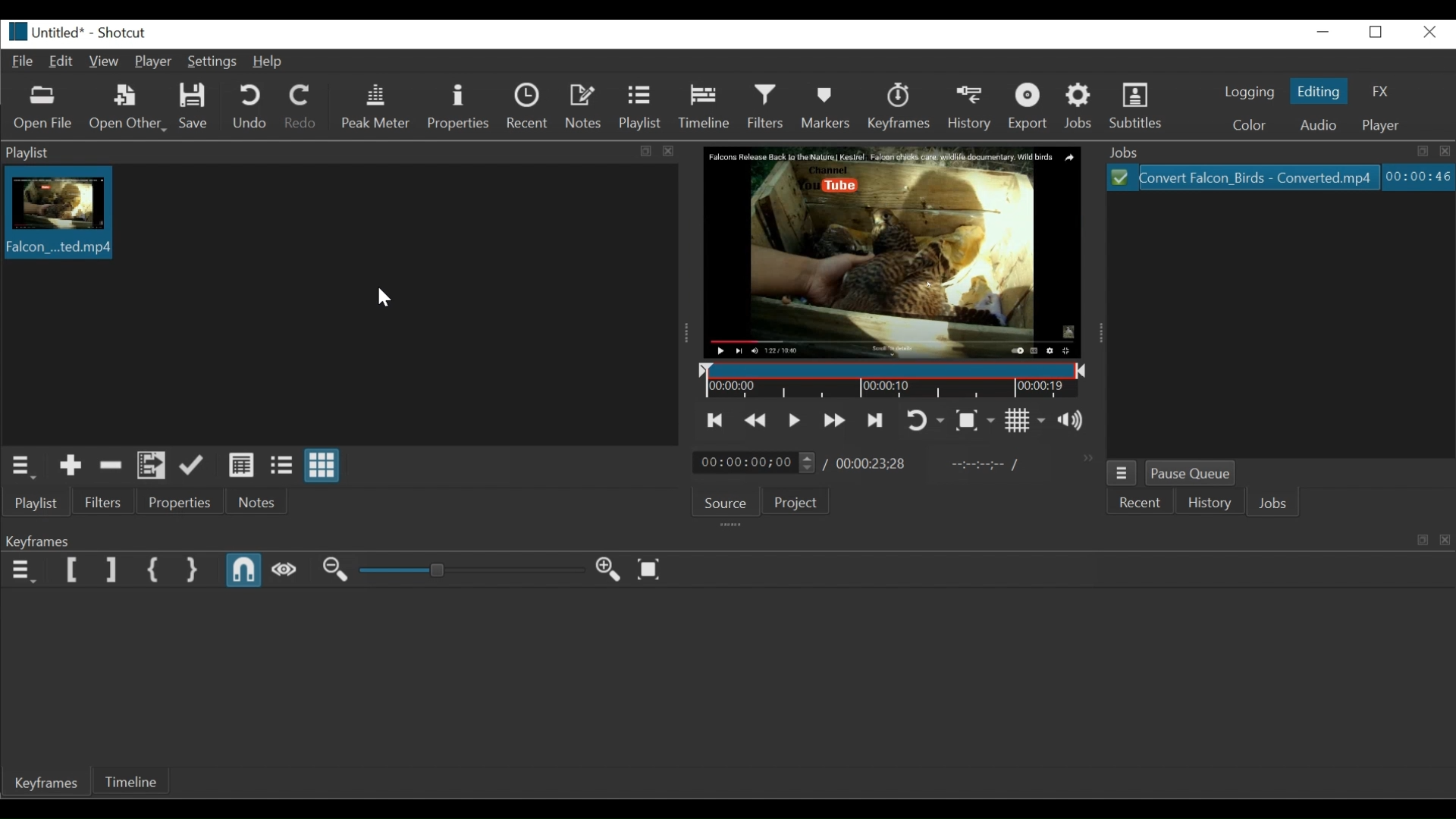 Image resolution: width=1456 pixels, height=819 pixels. Describe the element at coordinates (269, 62) in the screenshot. I see `Help` at that location.